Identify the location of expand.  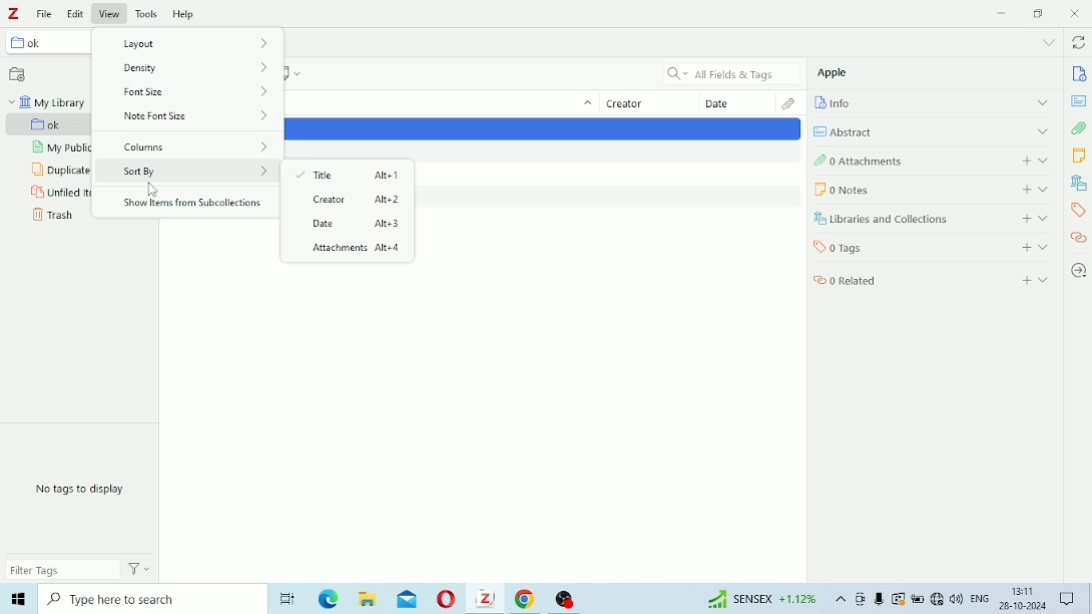
(1048, 161).